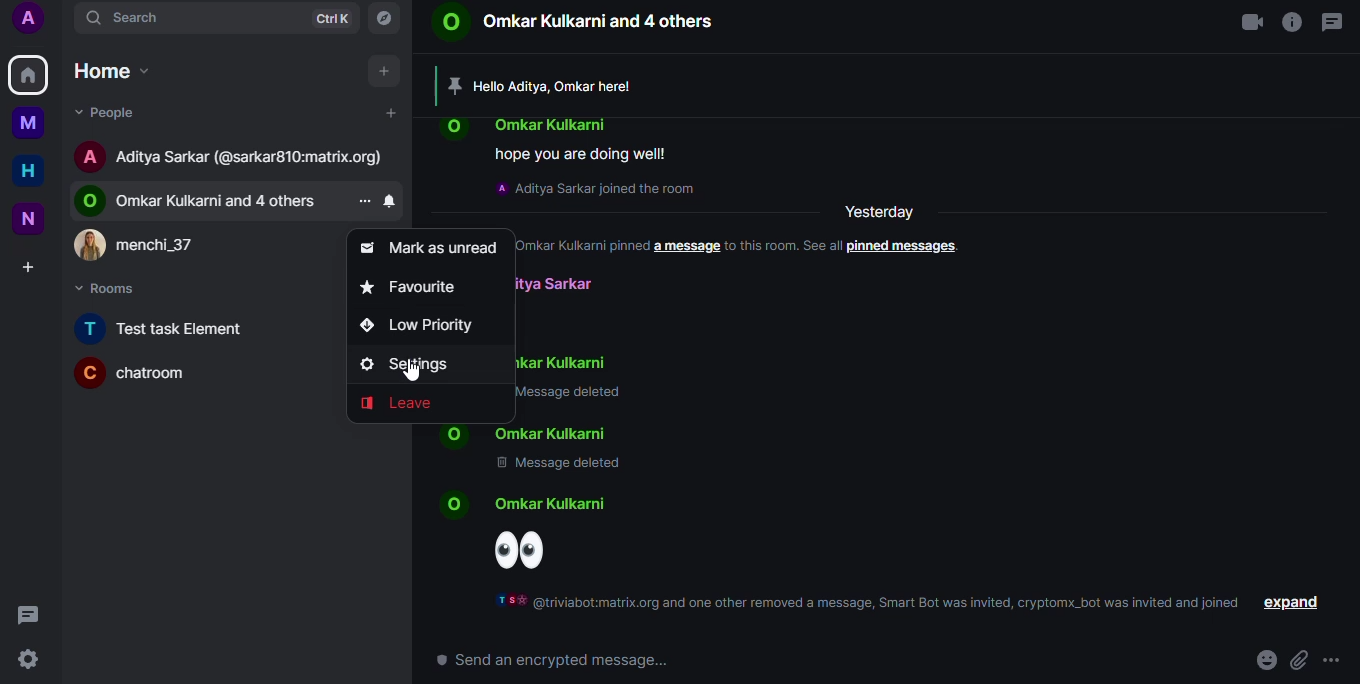 The height and width of the screenshot is (684, 1360). Describe the element at coordinates (115, 115) in the screenshot. I see `People` at that location.